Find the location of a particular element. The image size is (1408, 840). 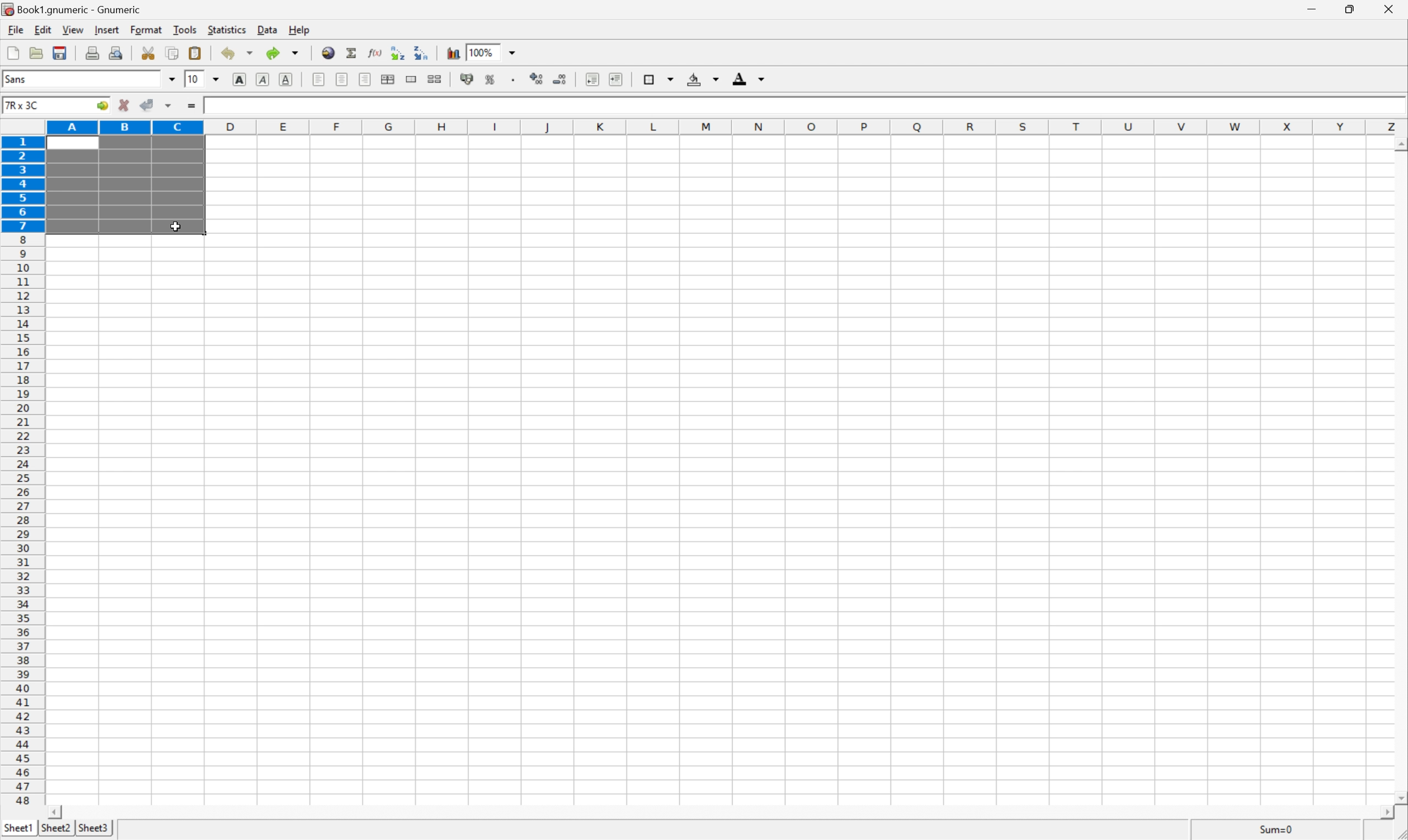

restore down is located at coordinates (1353, 11).